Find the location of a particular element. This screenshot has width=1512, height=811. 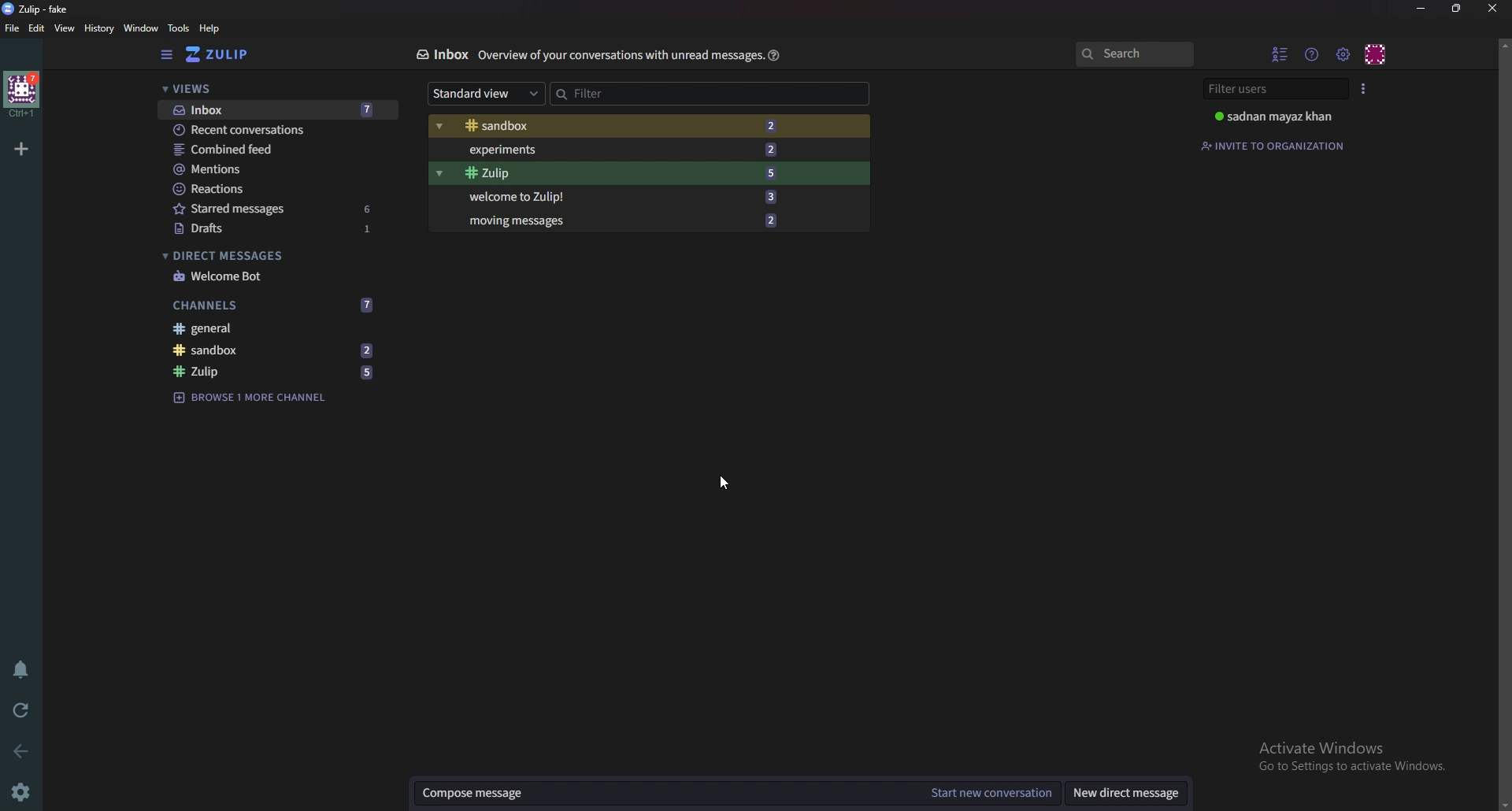

Tools is located at coordinates (179, 28).